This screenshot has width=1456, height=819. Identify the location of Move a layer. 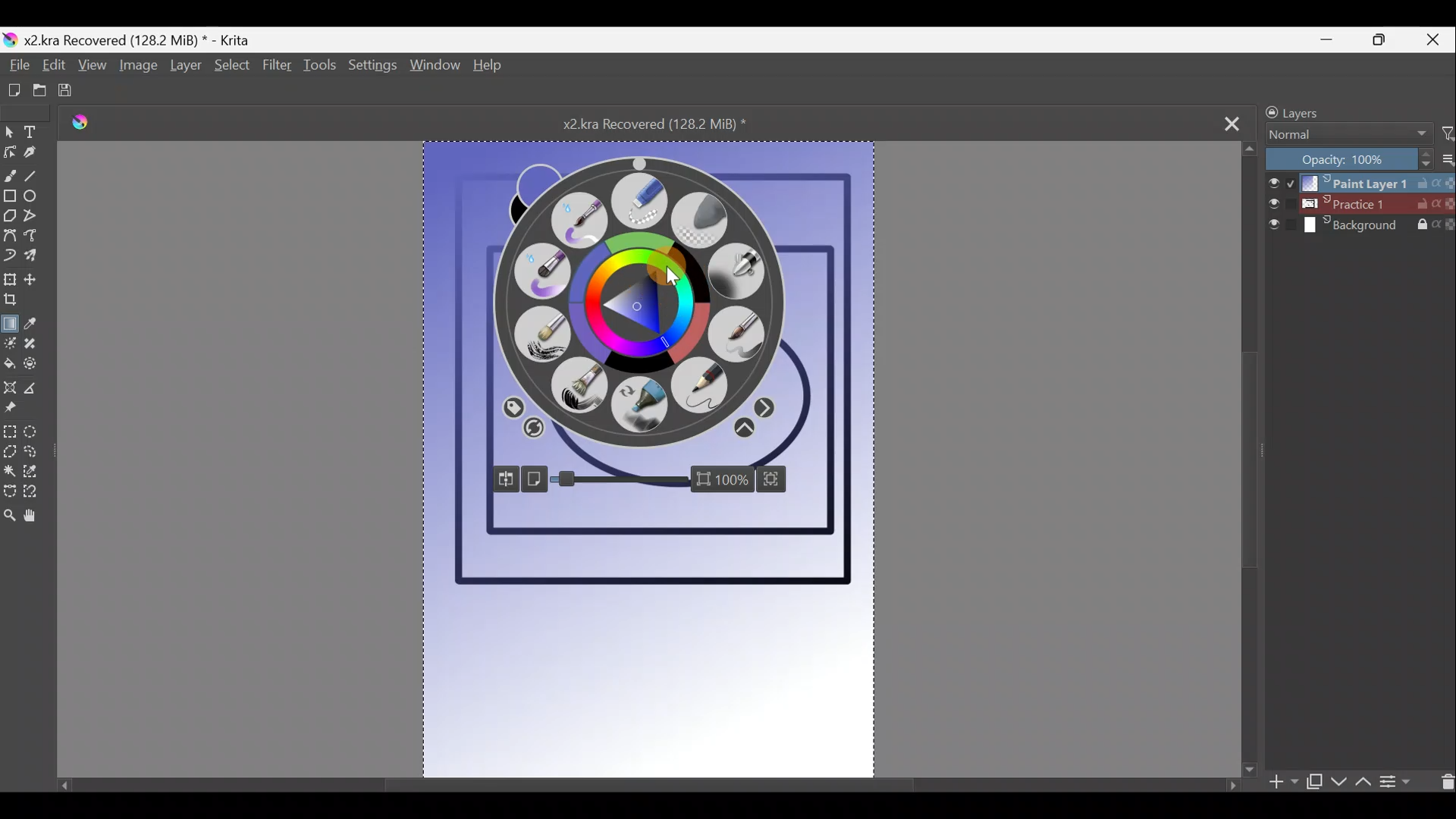
(38, 279).